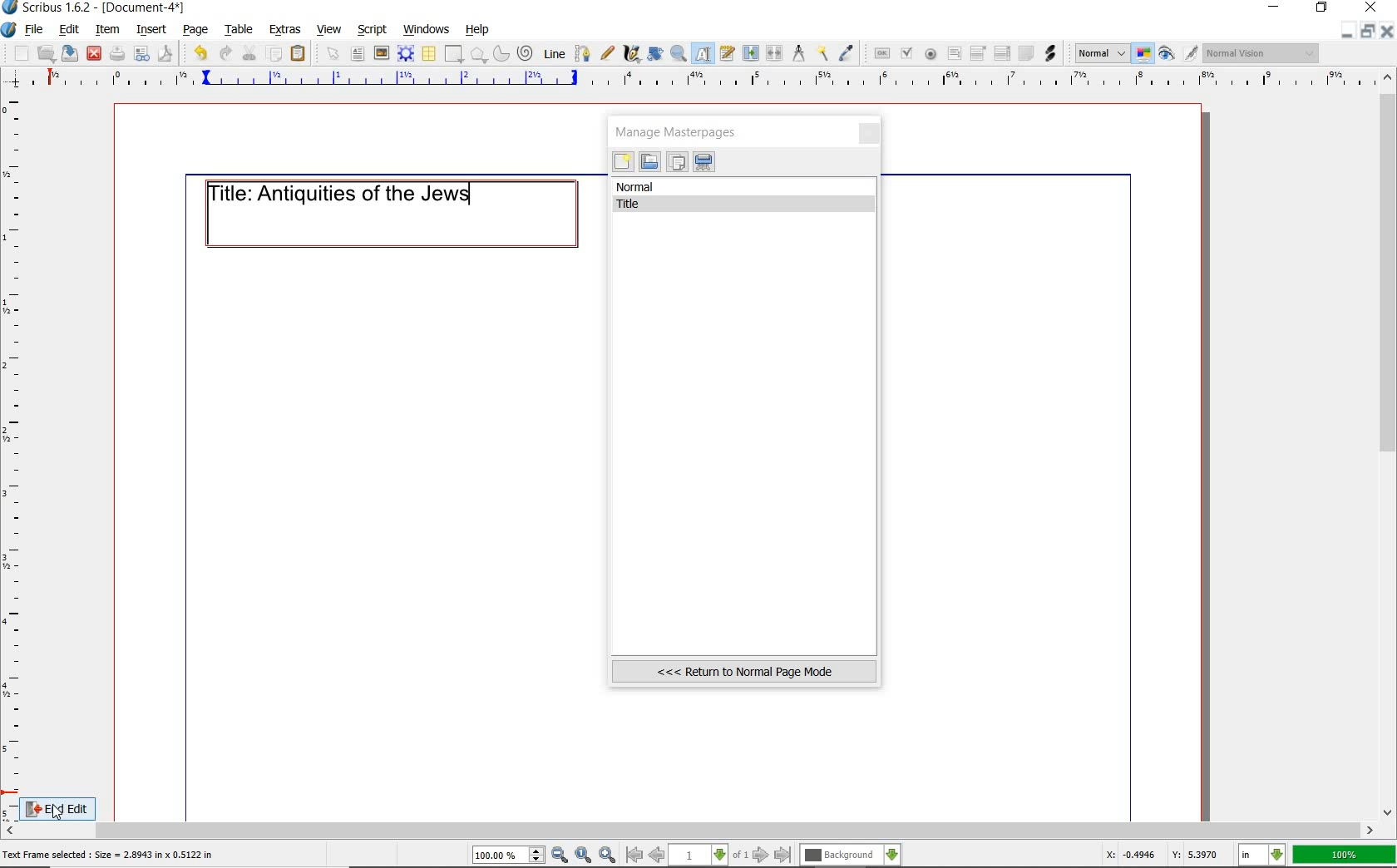  Describe the element at coordinates (704, 162) in the screenshot. I see `delete the selected masterpages` at that location.